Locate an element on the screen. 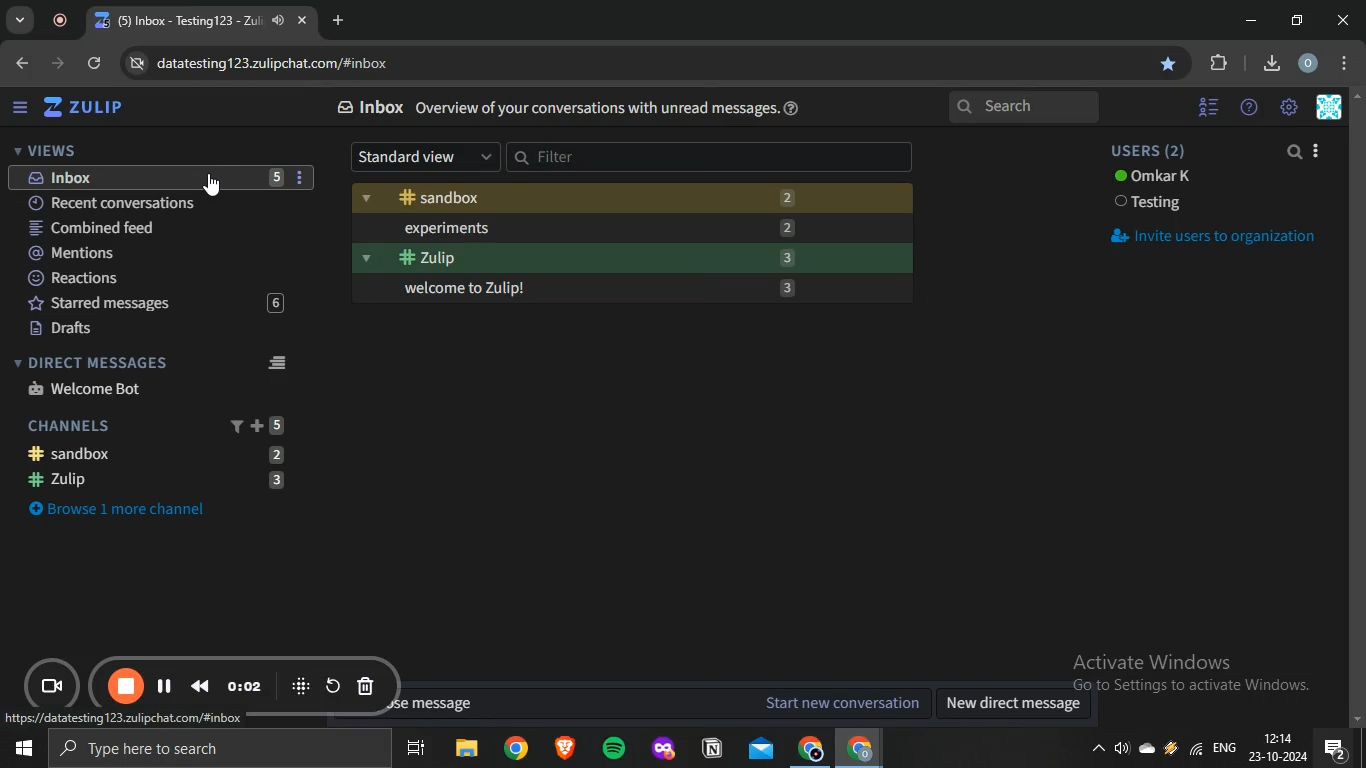 This screenshot has height=768, width=1366. welcome bot is located at coordinates (87, 388).